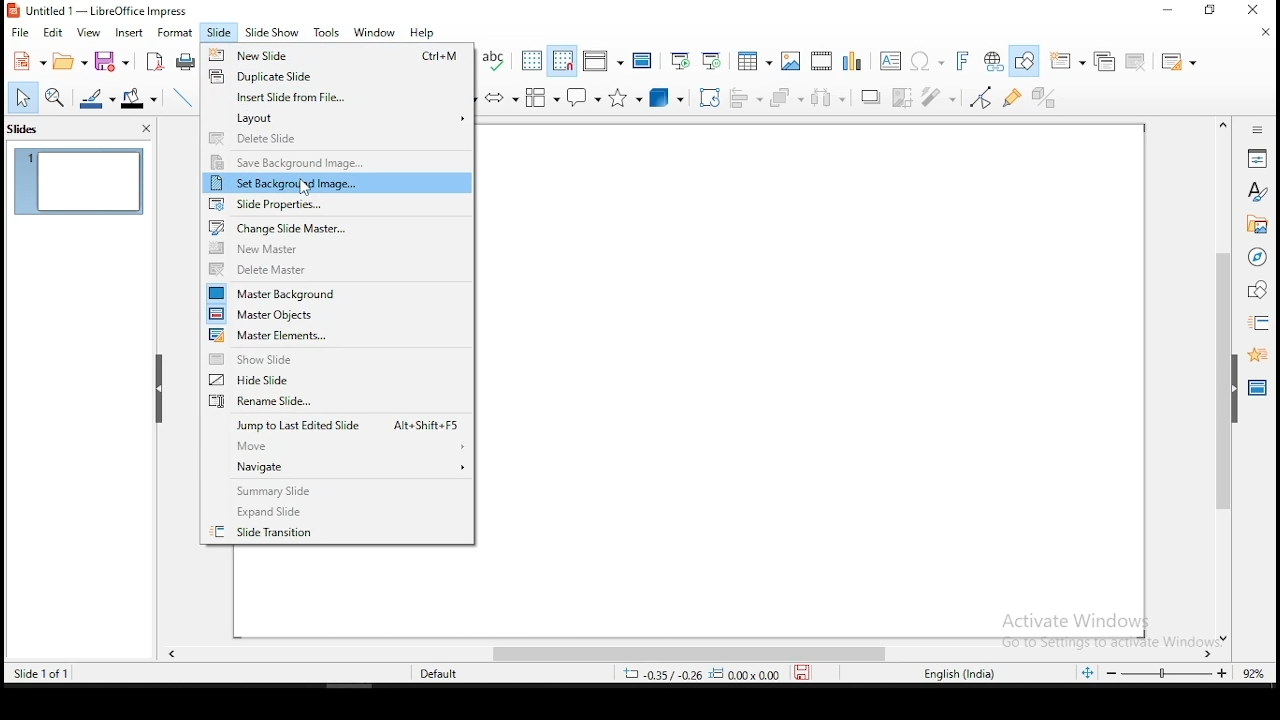 The image size is (1280, 720). What do you see at coordinates (335, 359) in the screenshot?
I see `show slide` at bounding box center [335, 359].